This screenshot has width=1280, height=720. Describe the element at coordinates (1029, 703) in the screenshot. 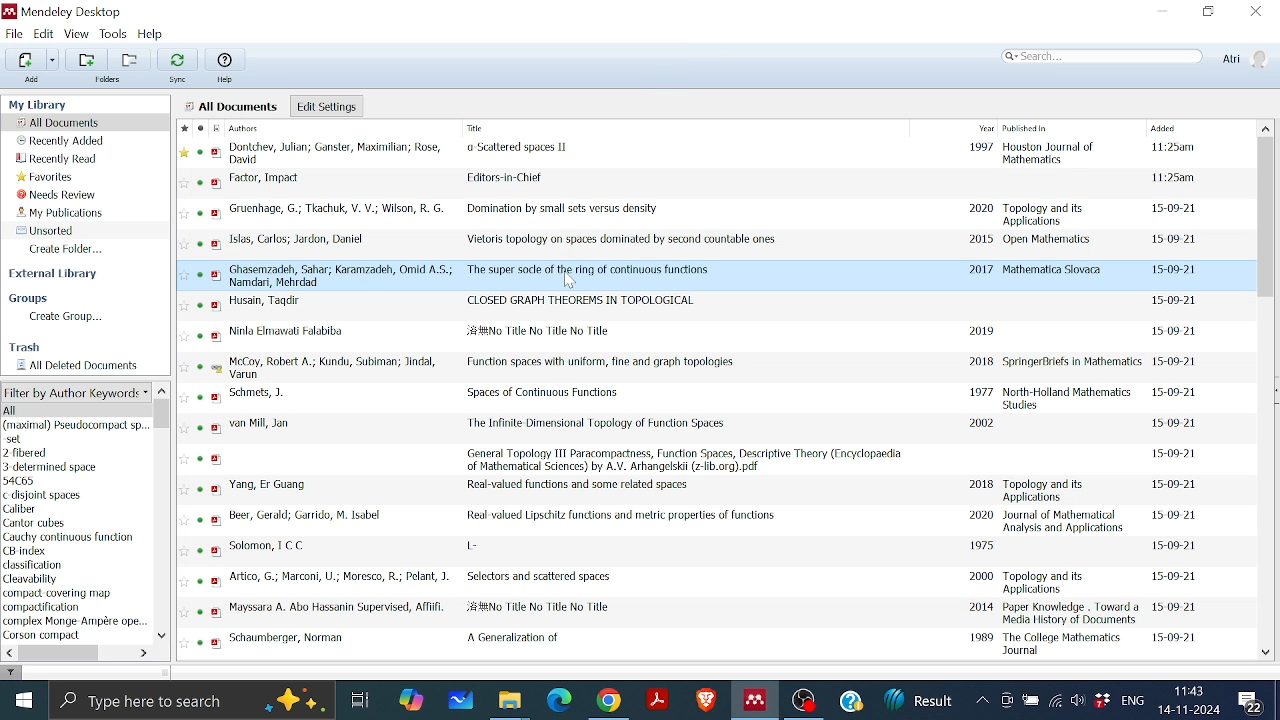

I see `Battery` at that location.